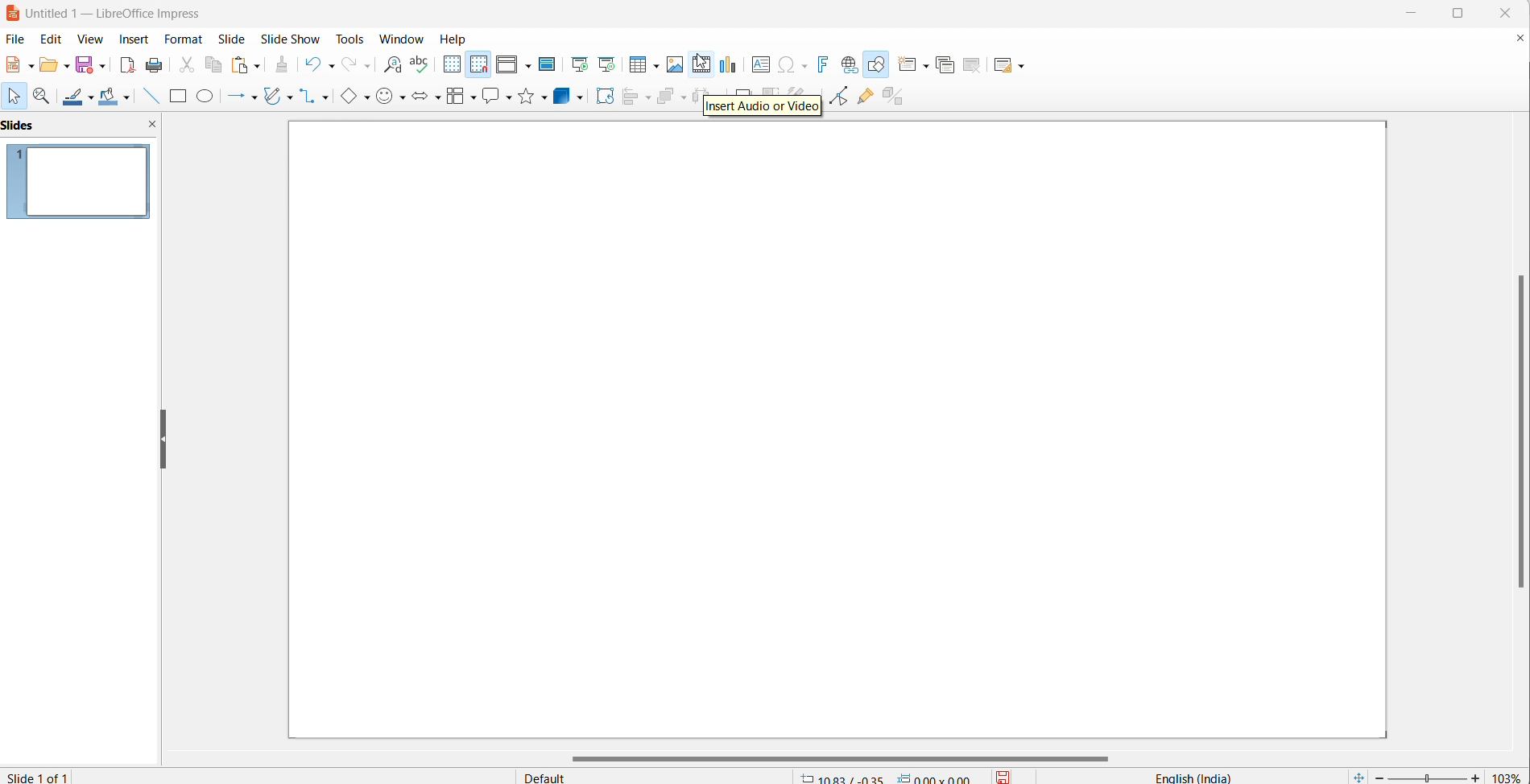 The image size is (1530, 784). What do you see at coordinates (16, 97) in the screenshot?
I see `select` at bounding box center [16, 97].